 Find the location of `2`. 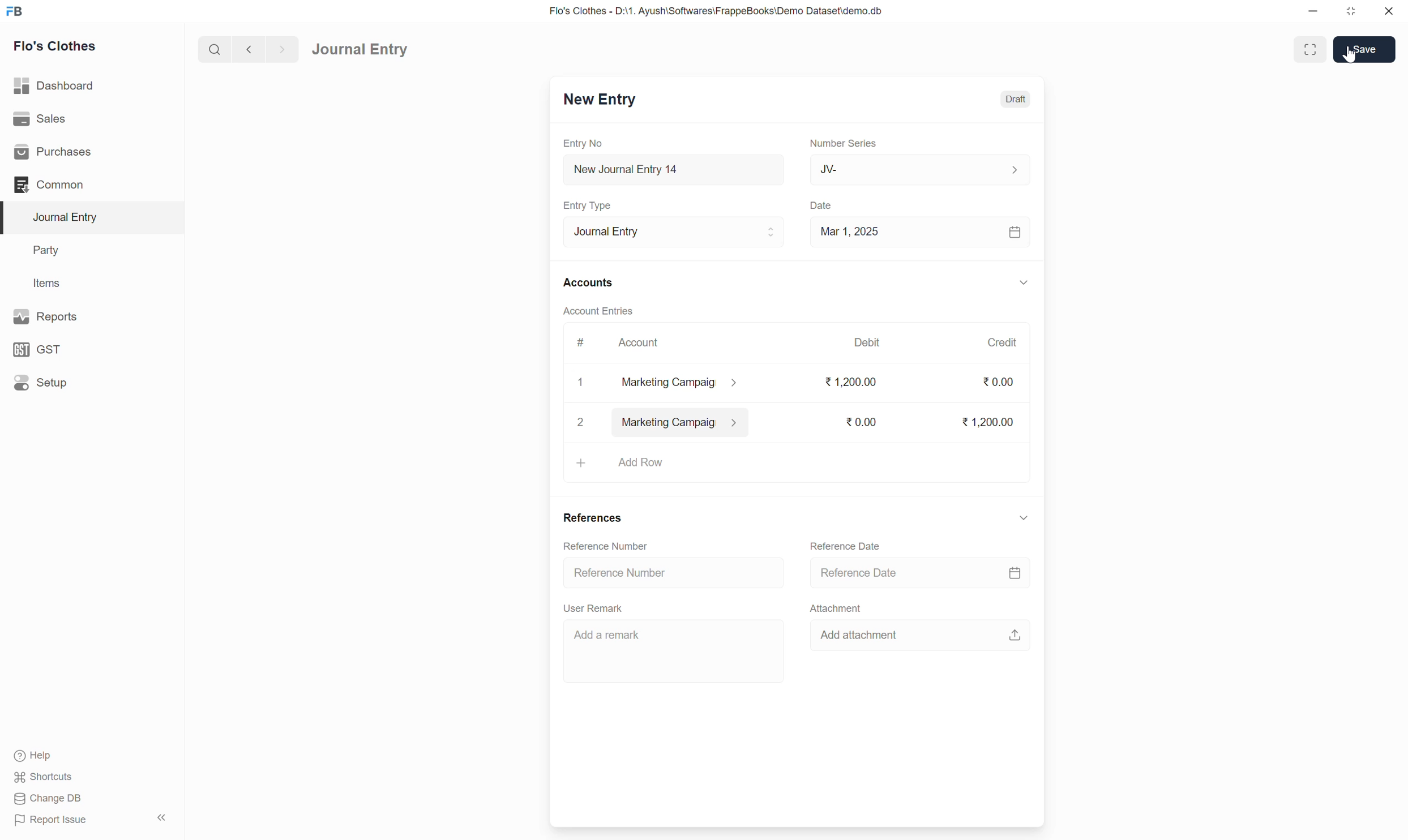

2 is located at coordinates (579, 422).